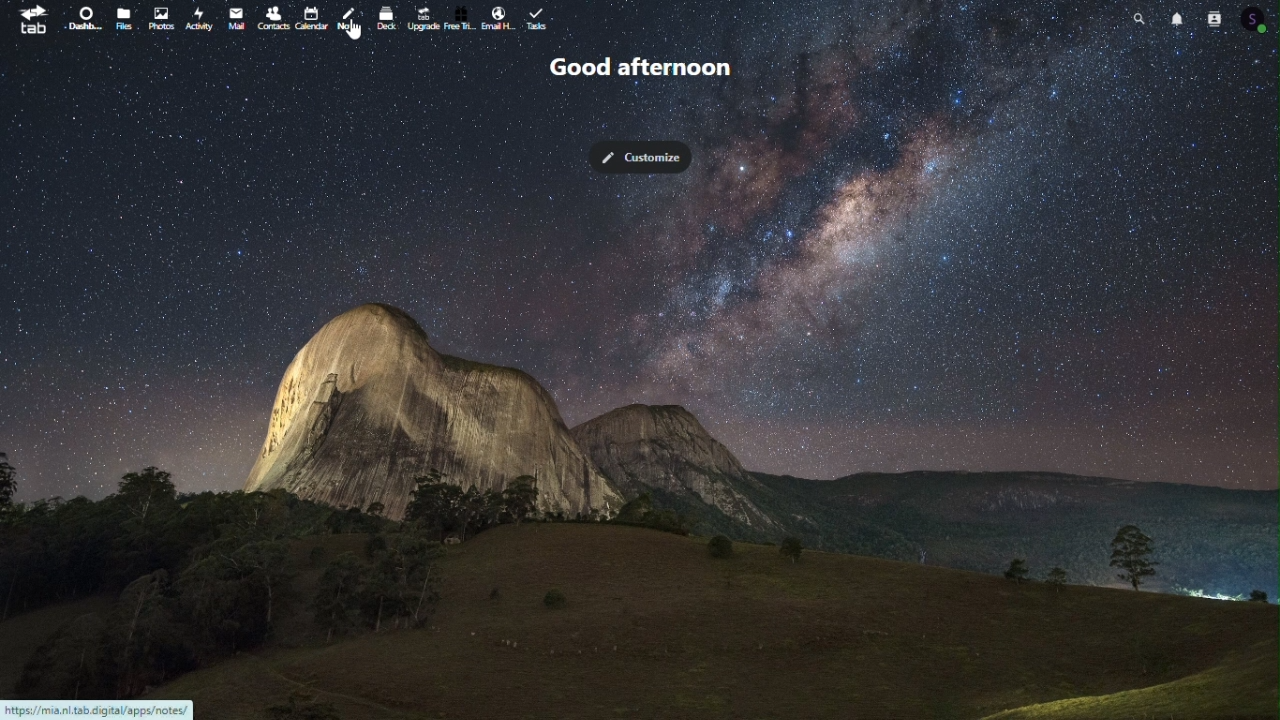  I want to click on Contacts, so click(271, 16).